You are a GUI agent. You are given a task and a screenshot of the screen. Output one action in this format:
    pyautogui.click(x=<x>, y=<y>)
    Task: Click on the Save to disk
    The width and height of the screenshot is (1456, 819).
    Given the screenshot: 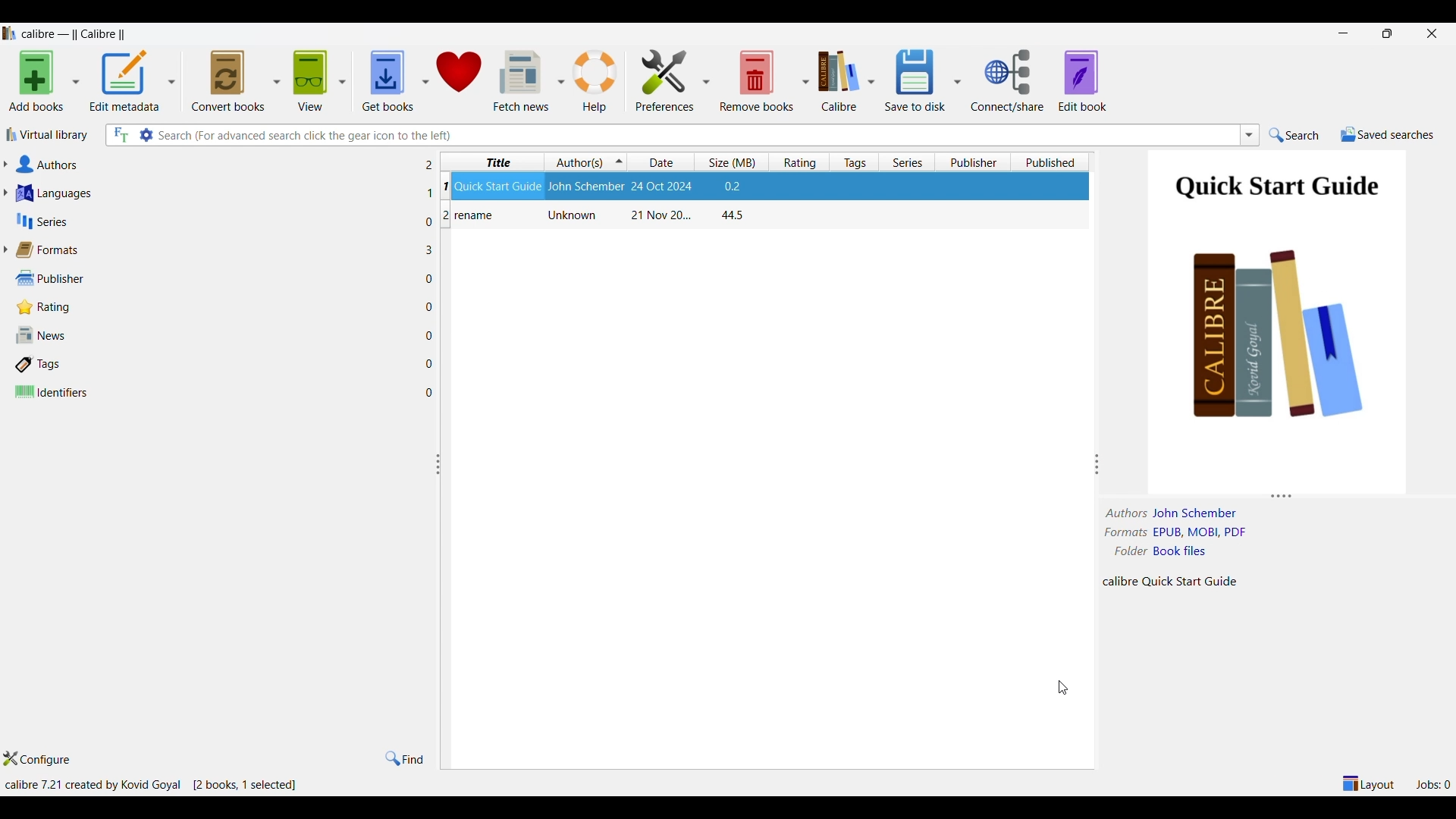 What is the action you would take?
    pyautogui.click(x=915, y=80)
    